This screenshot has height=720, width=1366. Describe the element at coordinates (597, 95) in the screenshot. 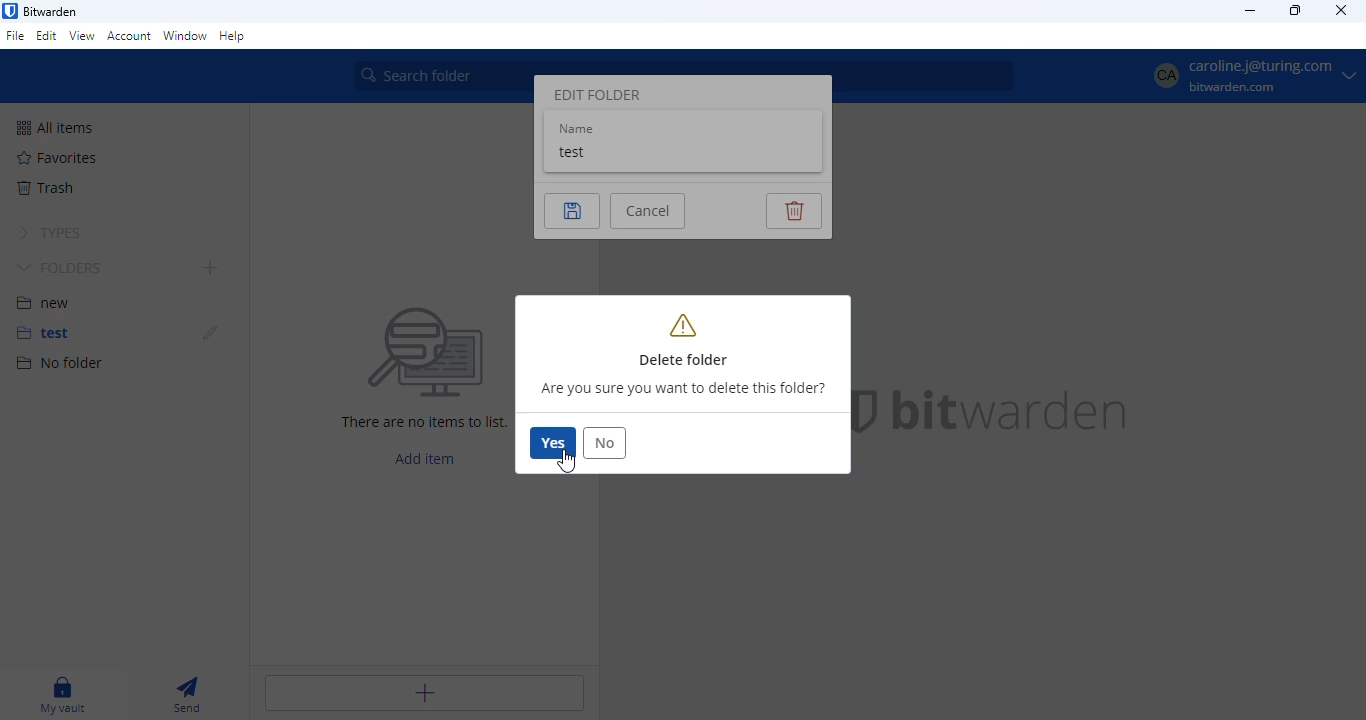

I see `edit folder` at that location.